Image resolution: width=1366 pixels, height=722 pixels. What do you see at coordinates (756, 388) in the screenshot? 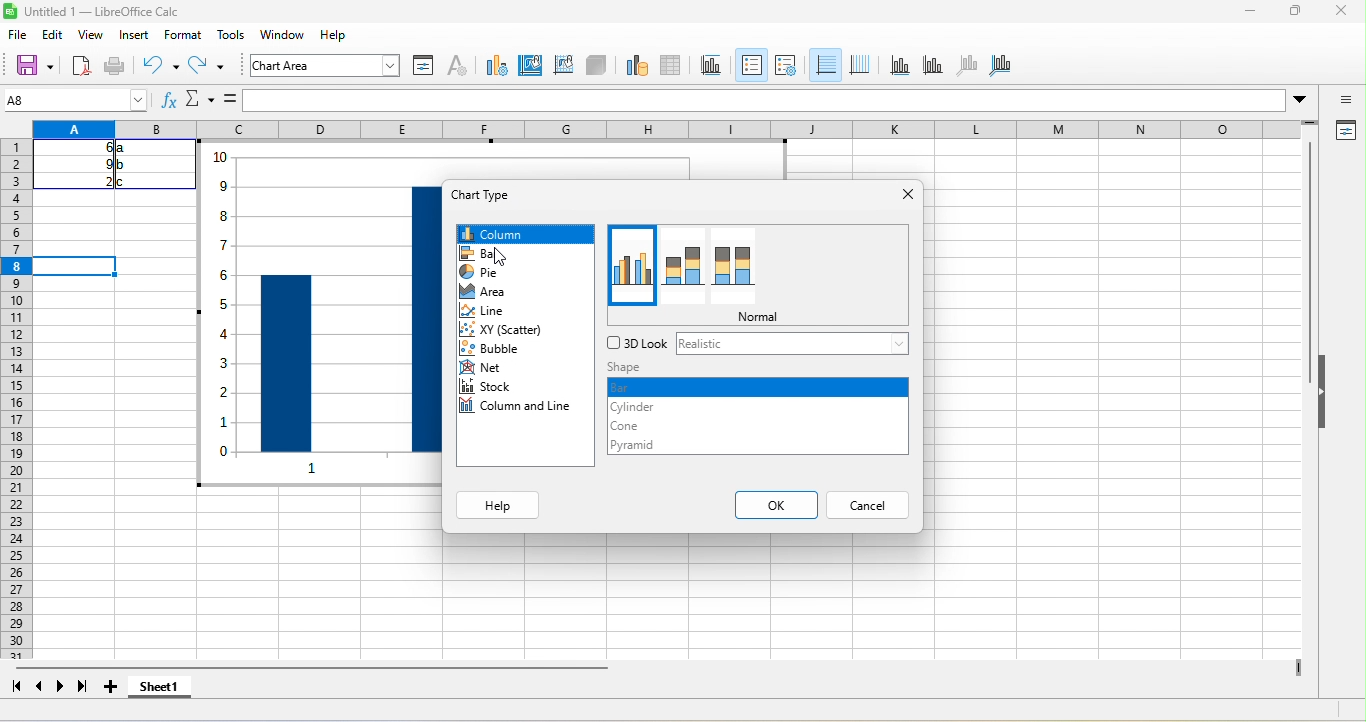
I see `bar` at bounding box center [756, 388].